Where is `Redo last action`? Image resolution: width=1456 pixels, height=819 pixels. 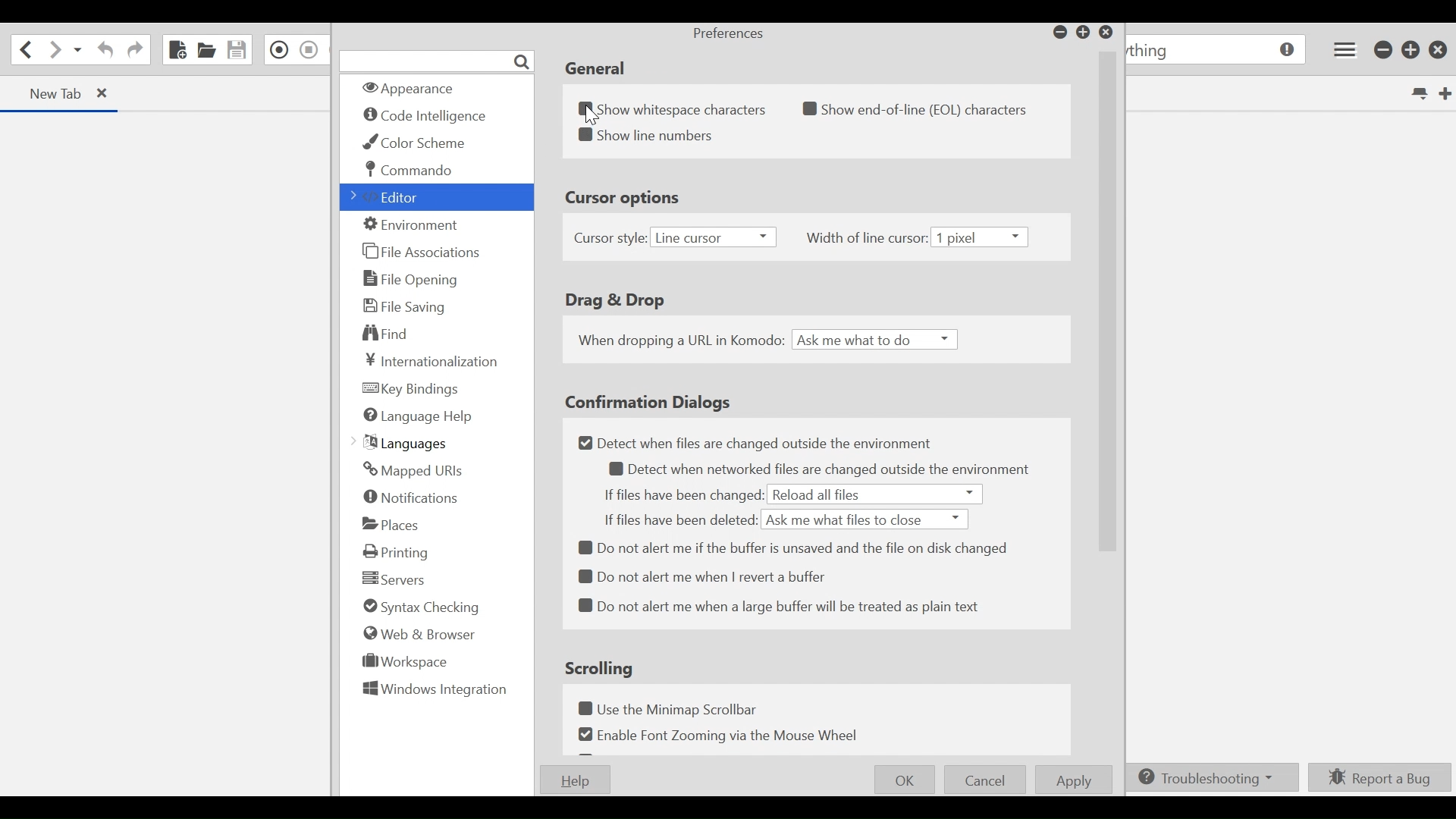 Redo last action is located at coordinates (134, 50).